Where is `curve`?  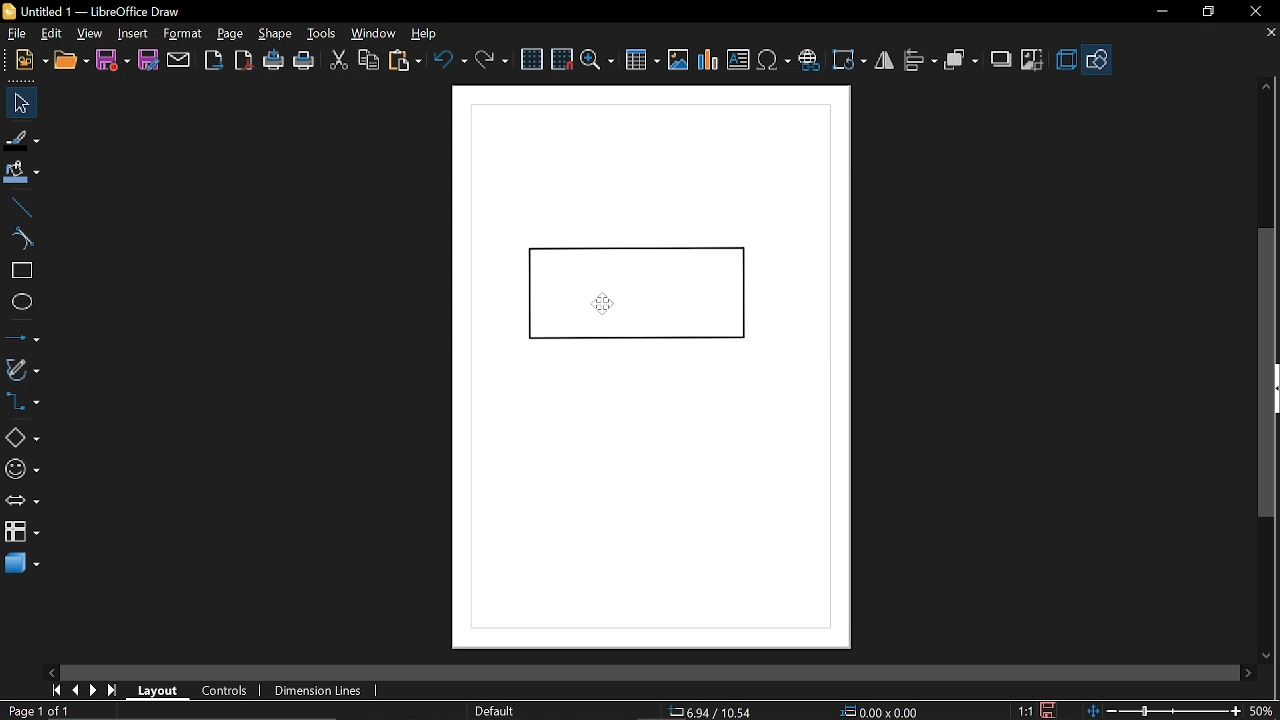 curve is located at coordinates (20, 238).